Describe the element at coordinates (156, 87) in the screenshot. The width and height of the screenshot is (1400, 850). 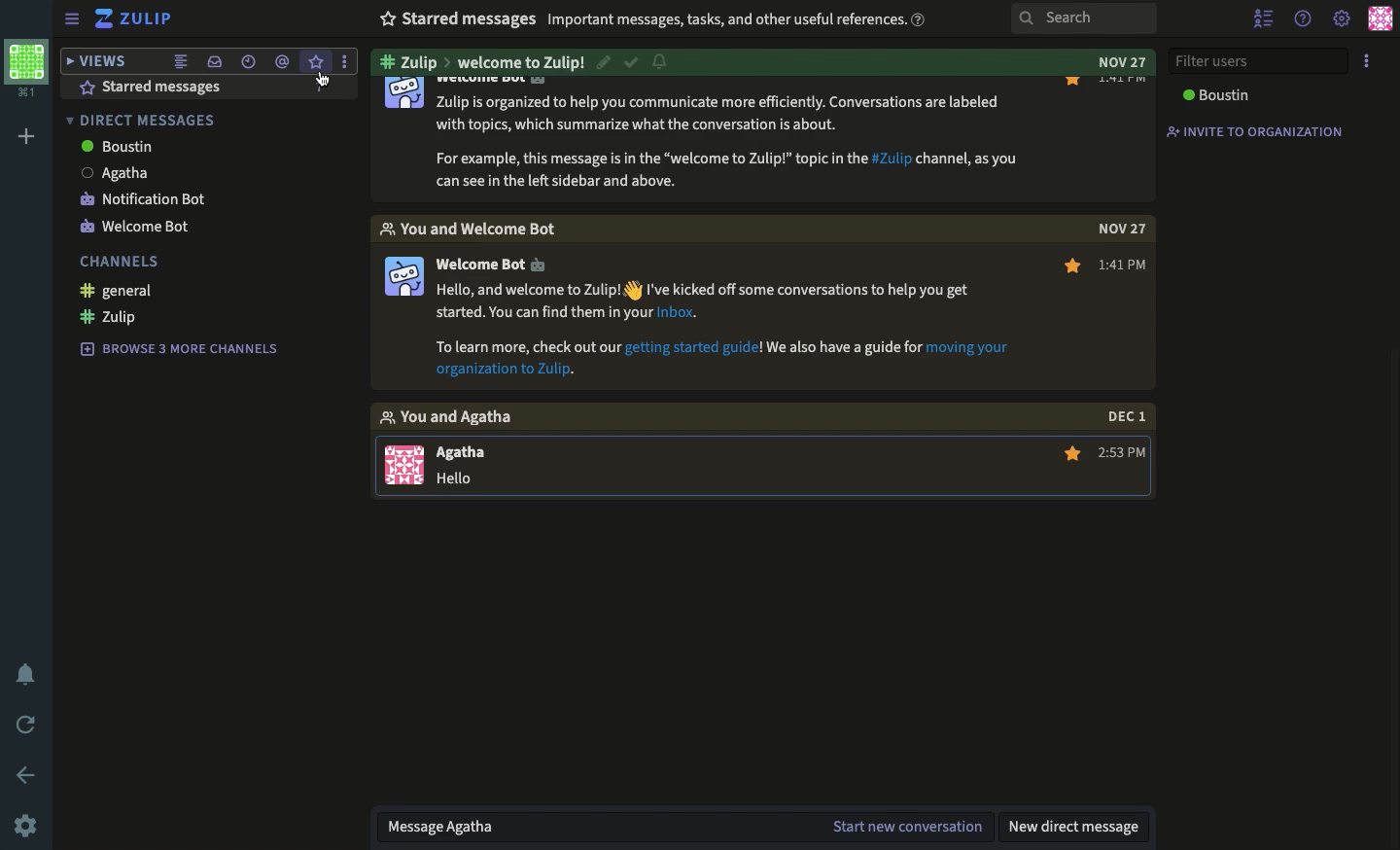
I see `inbox` at that location.